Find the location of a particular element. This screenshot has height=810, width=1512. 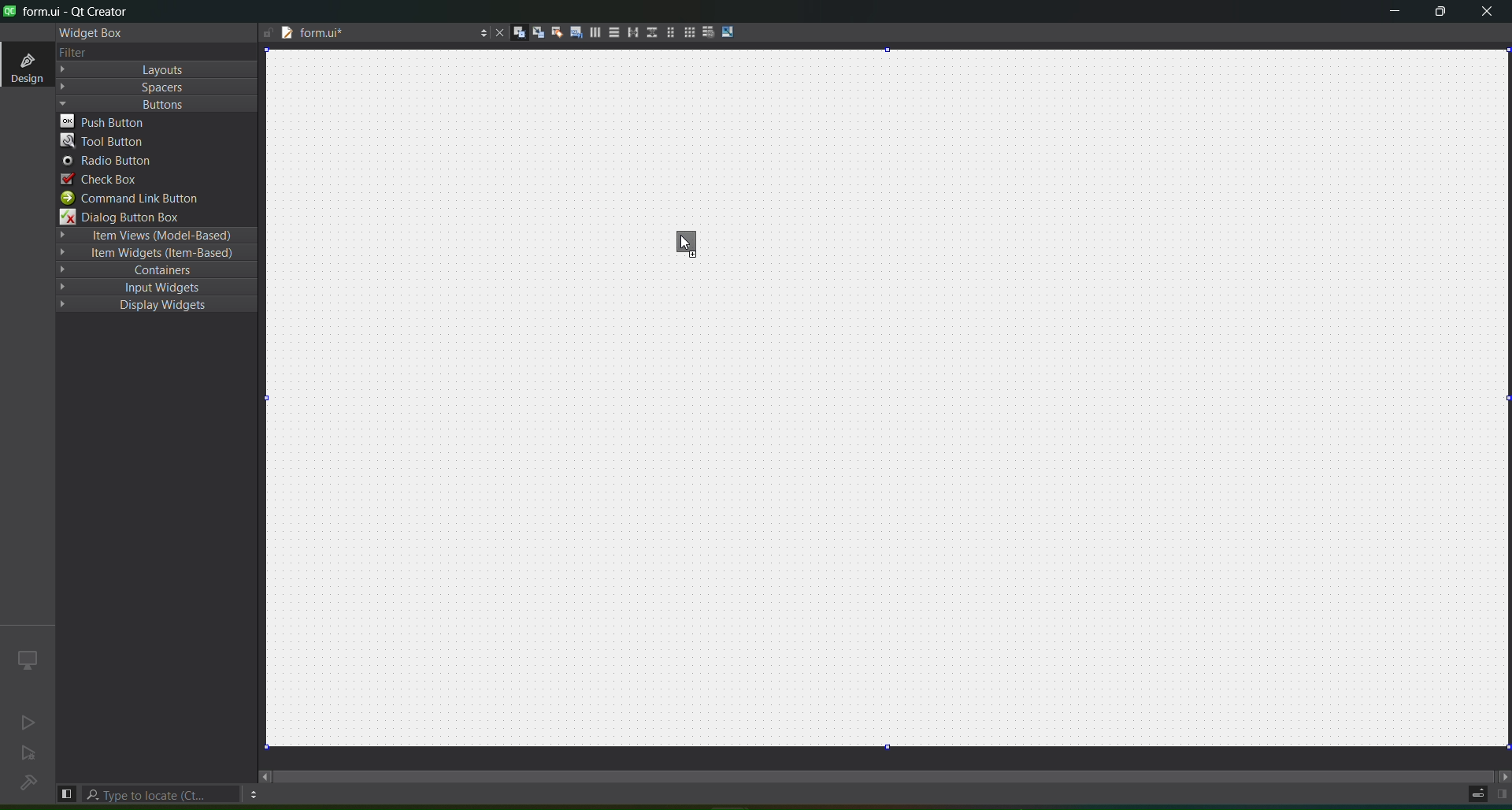

tool button is located at coordinates (157, 143).